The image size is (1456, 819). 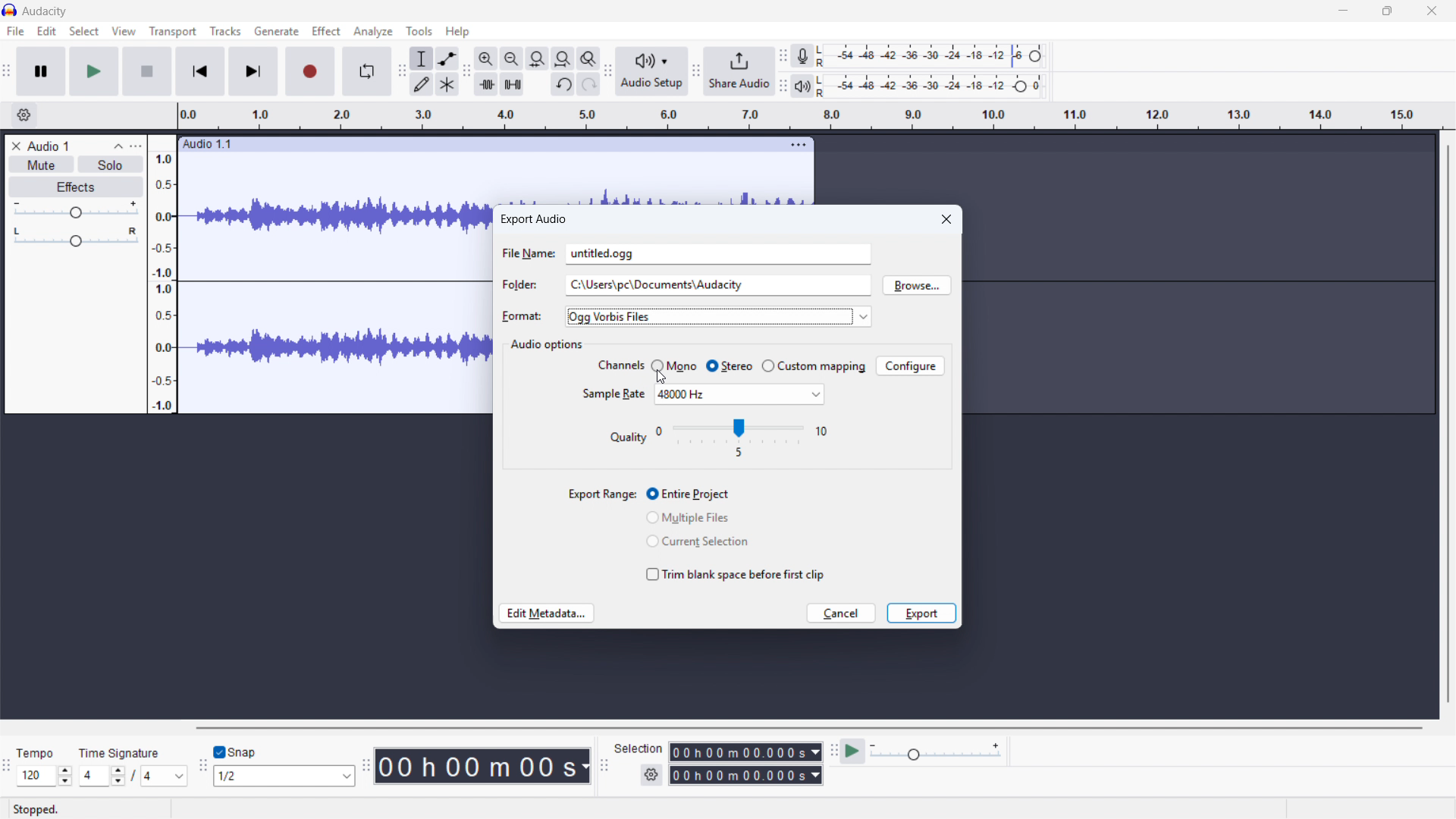 I want to click on Timeline settings , so click(x=22, y=115).